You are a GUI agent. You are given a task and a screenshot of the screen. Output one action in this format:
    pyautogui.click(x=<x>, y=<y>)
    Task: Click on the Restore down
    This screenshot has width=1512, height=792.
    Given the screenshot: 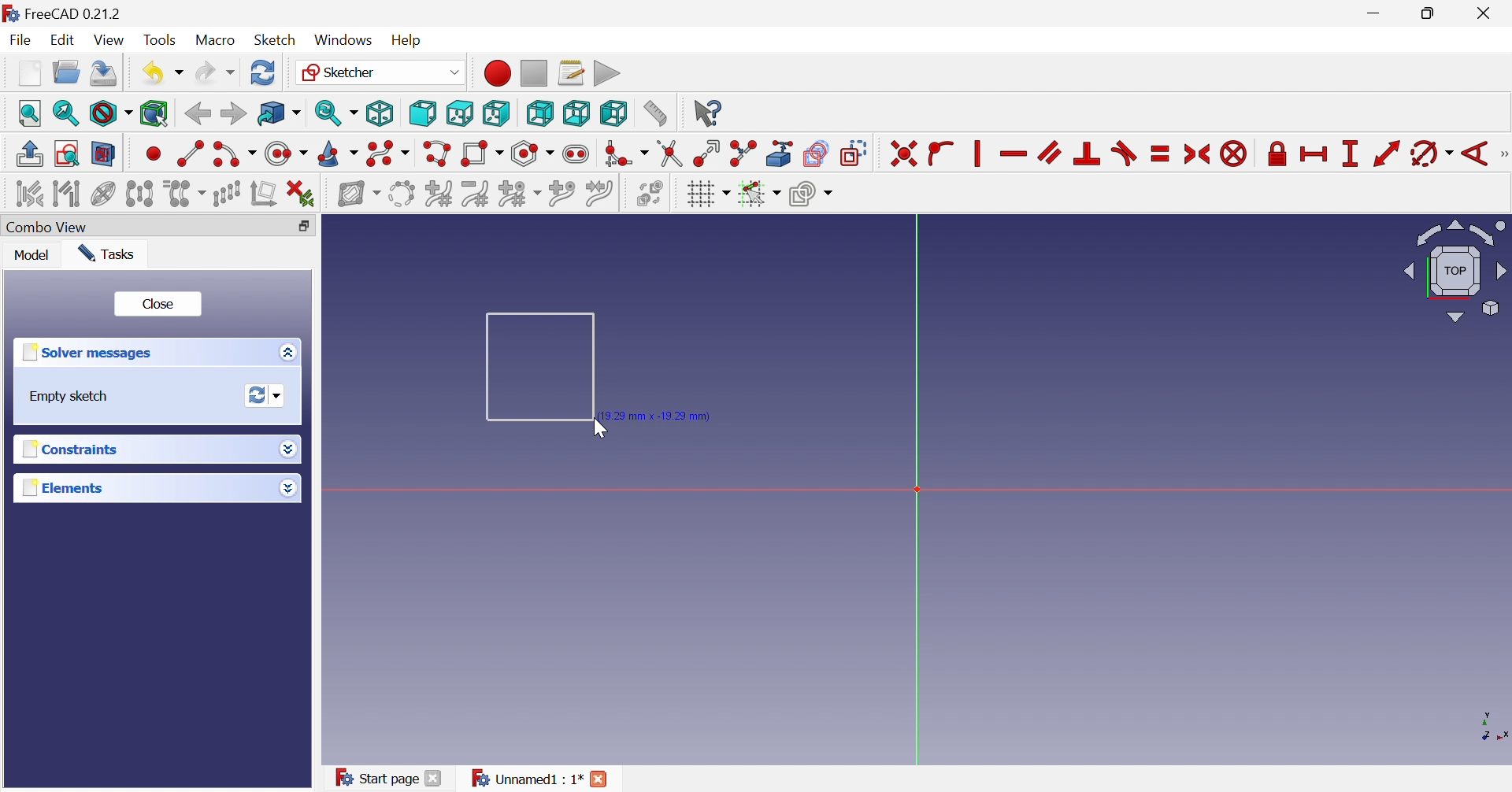 What is the action you would take?
    pyautogui.click(x=304, y=228)
    